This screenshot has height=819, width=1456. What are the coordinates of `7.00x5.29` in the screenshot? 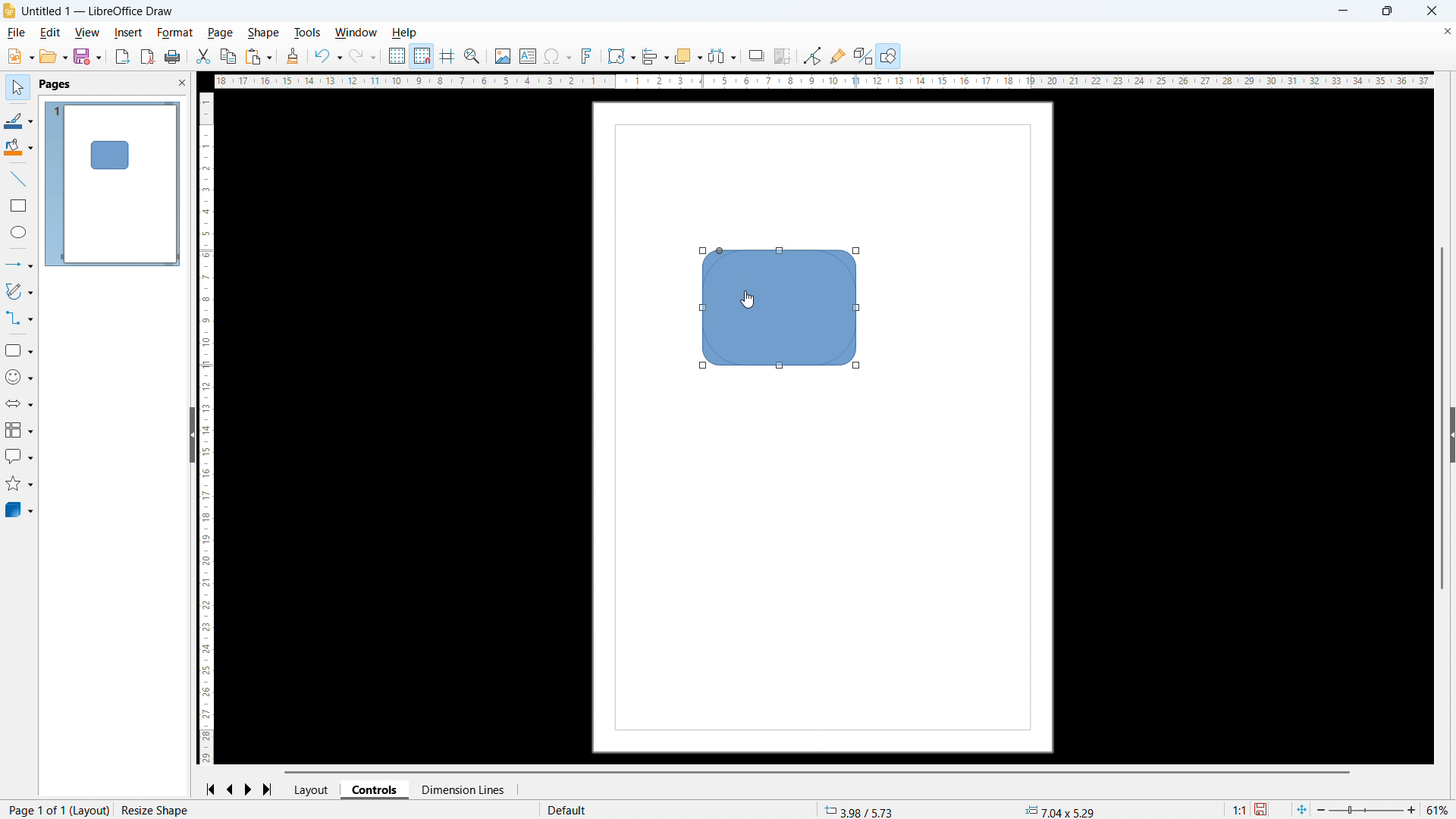 It's located at (1059, 811).